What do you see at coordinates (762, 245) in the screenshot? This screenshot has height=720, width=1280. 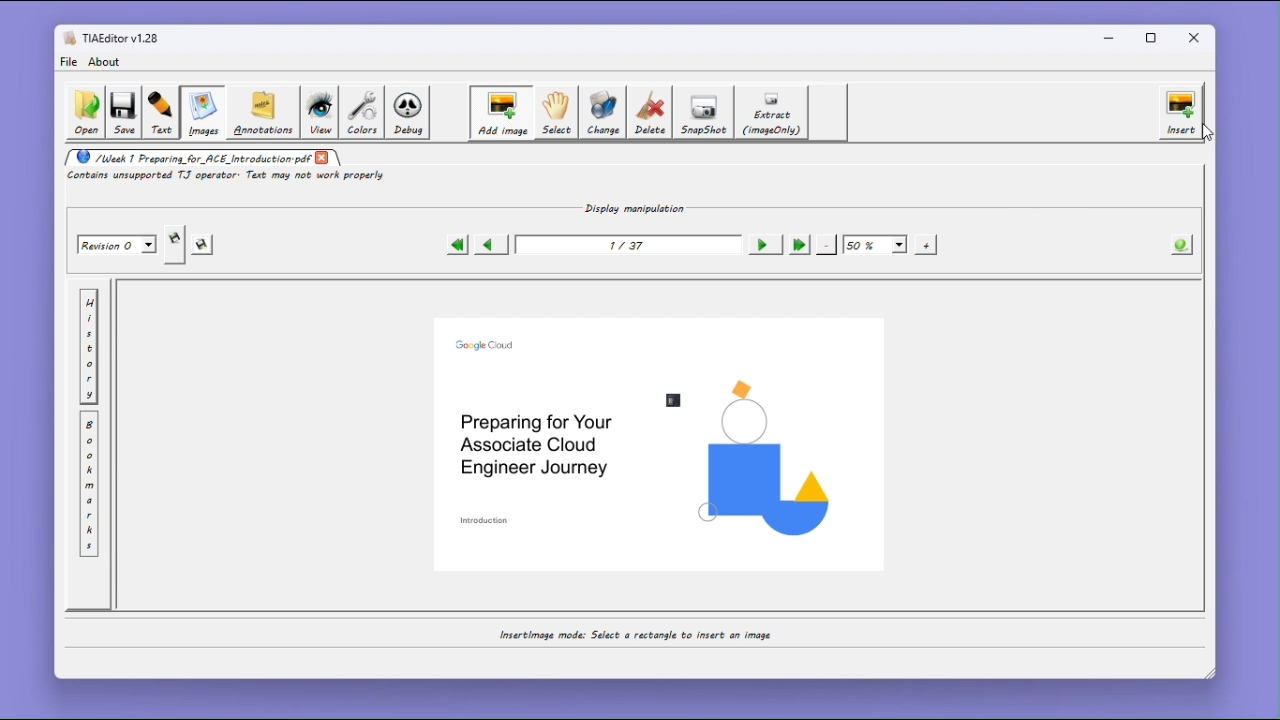 I see `Next page` at bounding box center [762, 245].